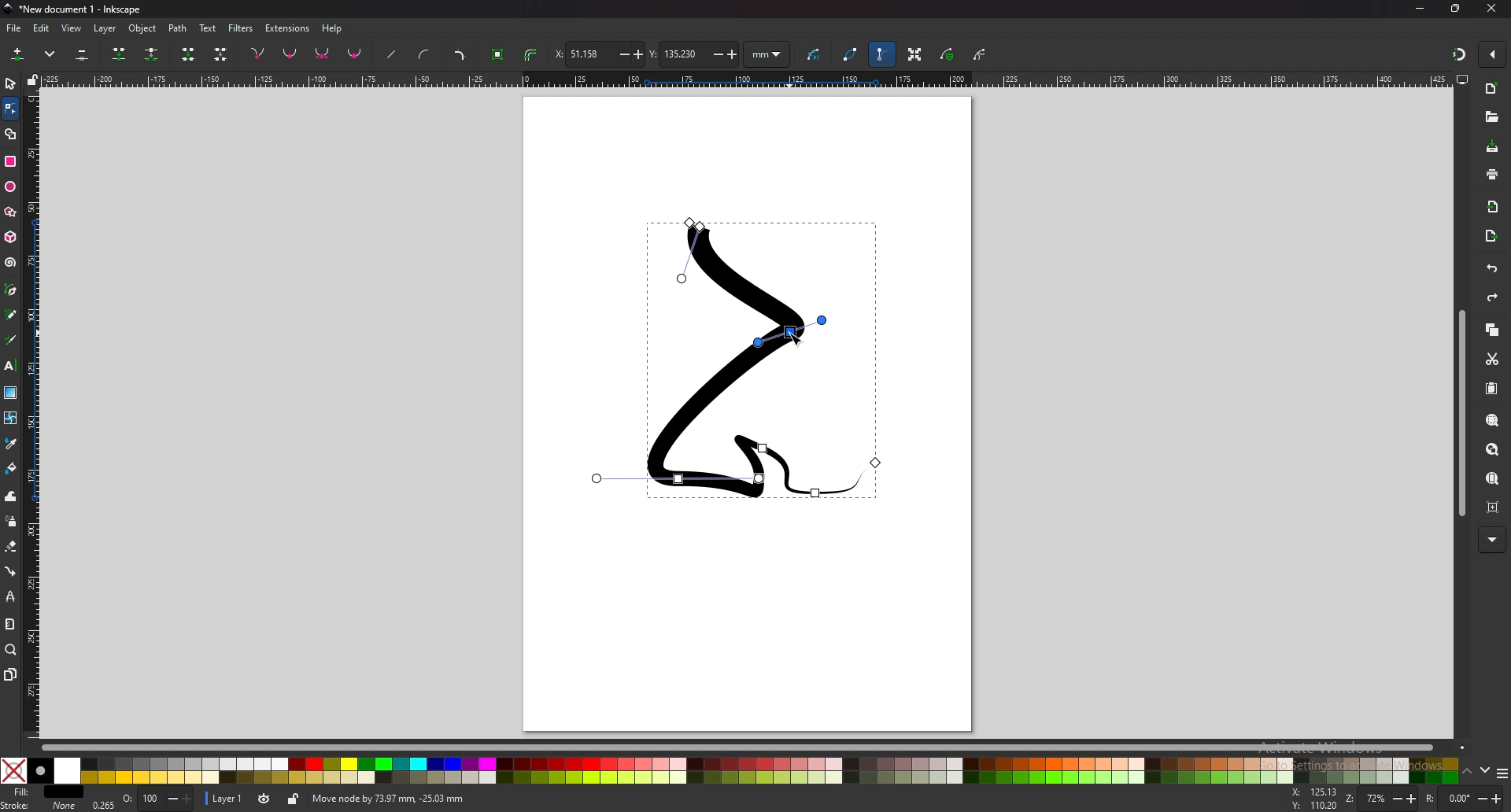  What do you see at coordinates (1468, 772) in the screenshot?
I see `up` at bounding box center [1468, 772].